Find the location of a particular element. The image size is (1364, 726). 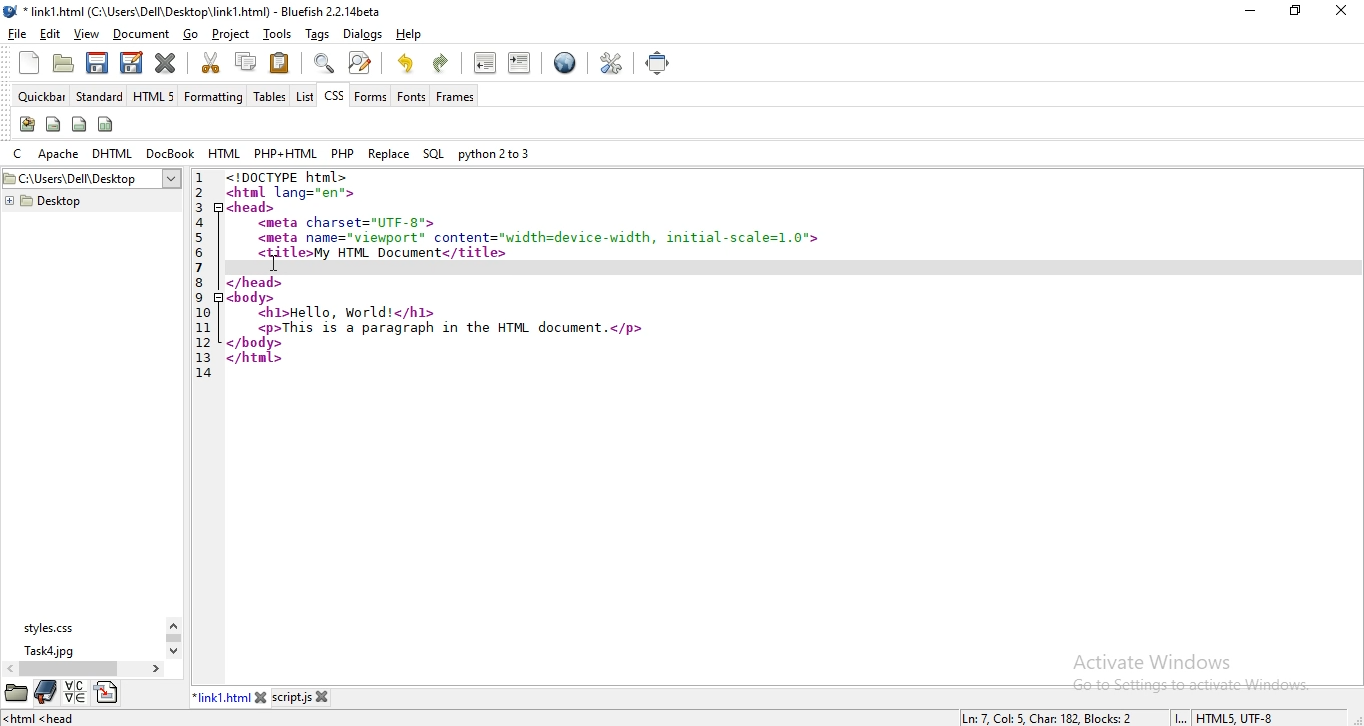

redo is located at coordinates (441, 64).